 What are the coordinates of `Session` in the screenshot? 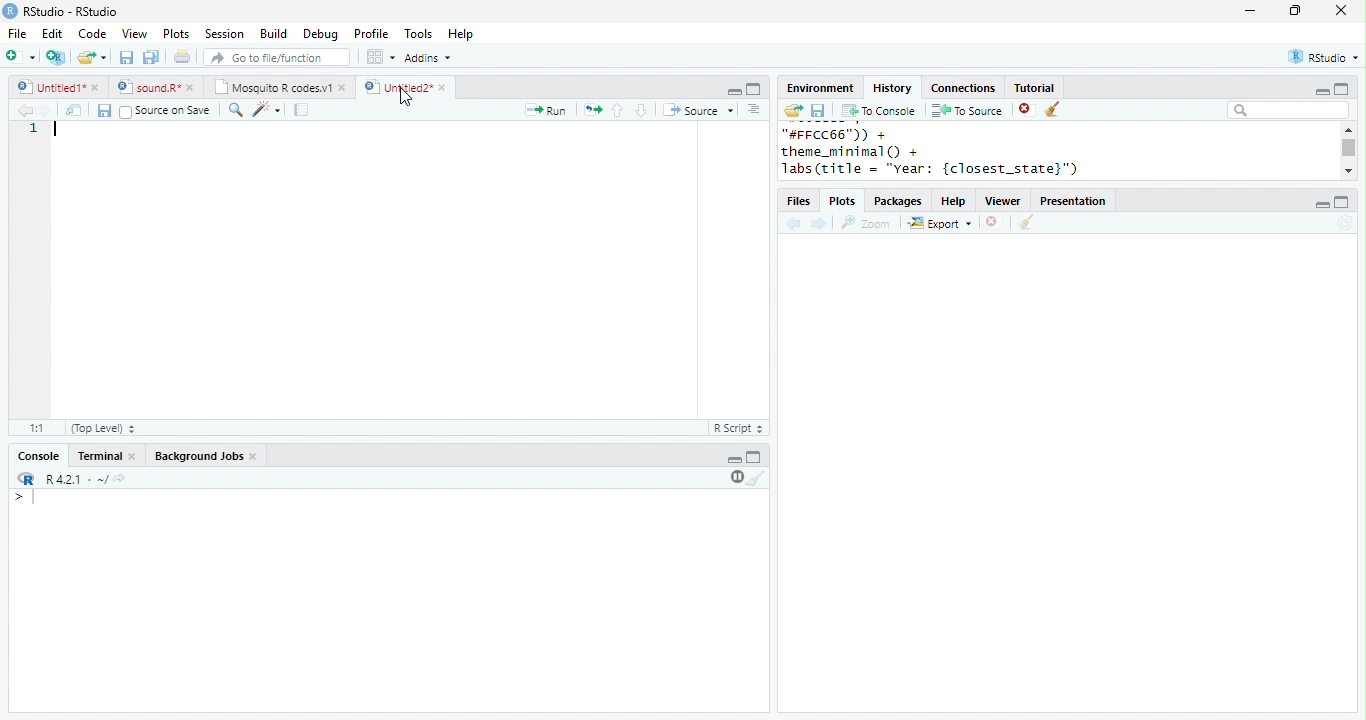 It's located at (223, 34).